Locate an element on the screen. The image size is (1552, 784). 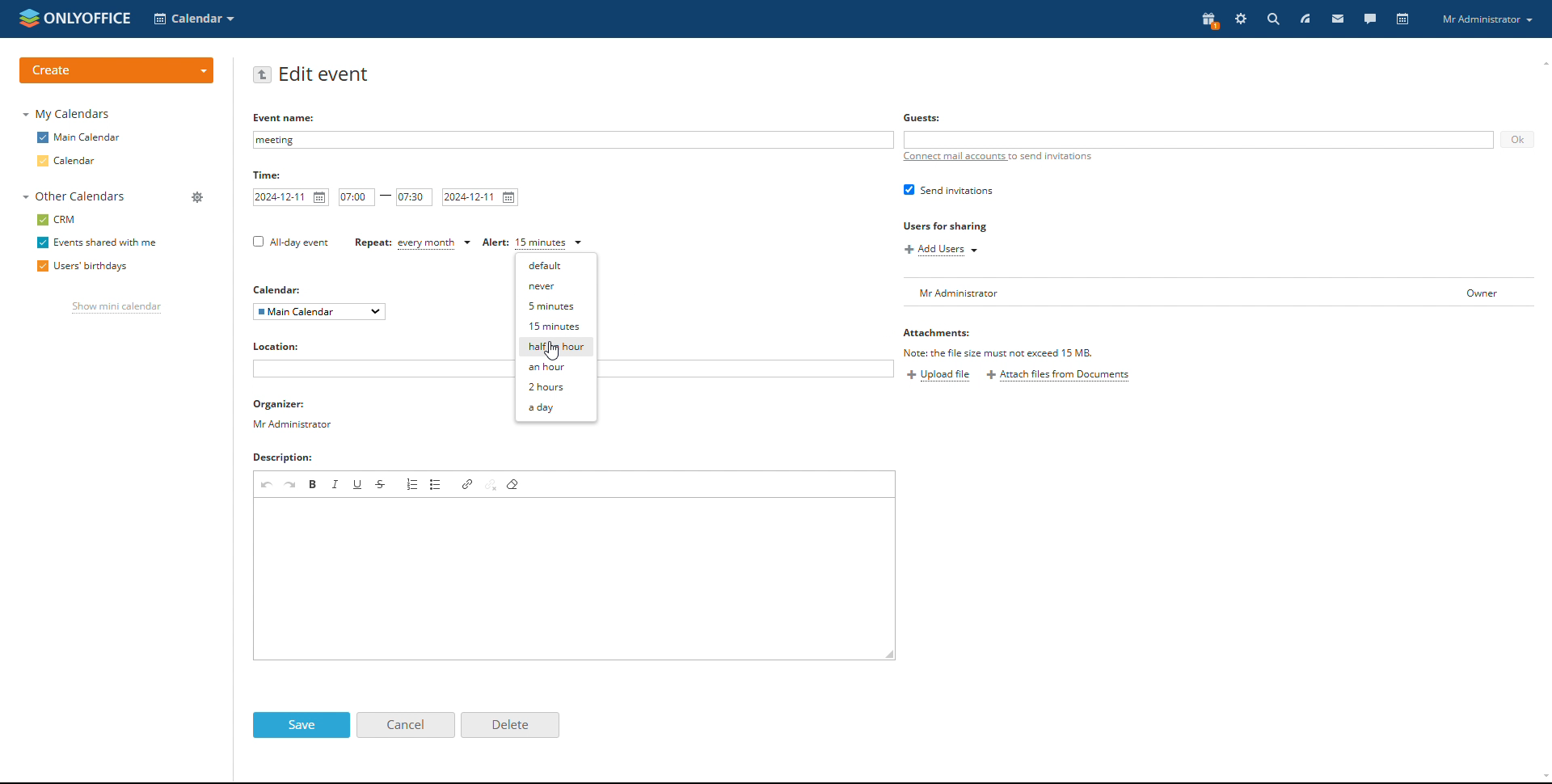
remove format is located at coordinates (514, 484).